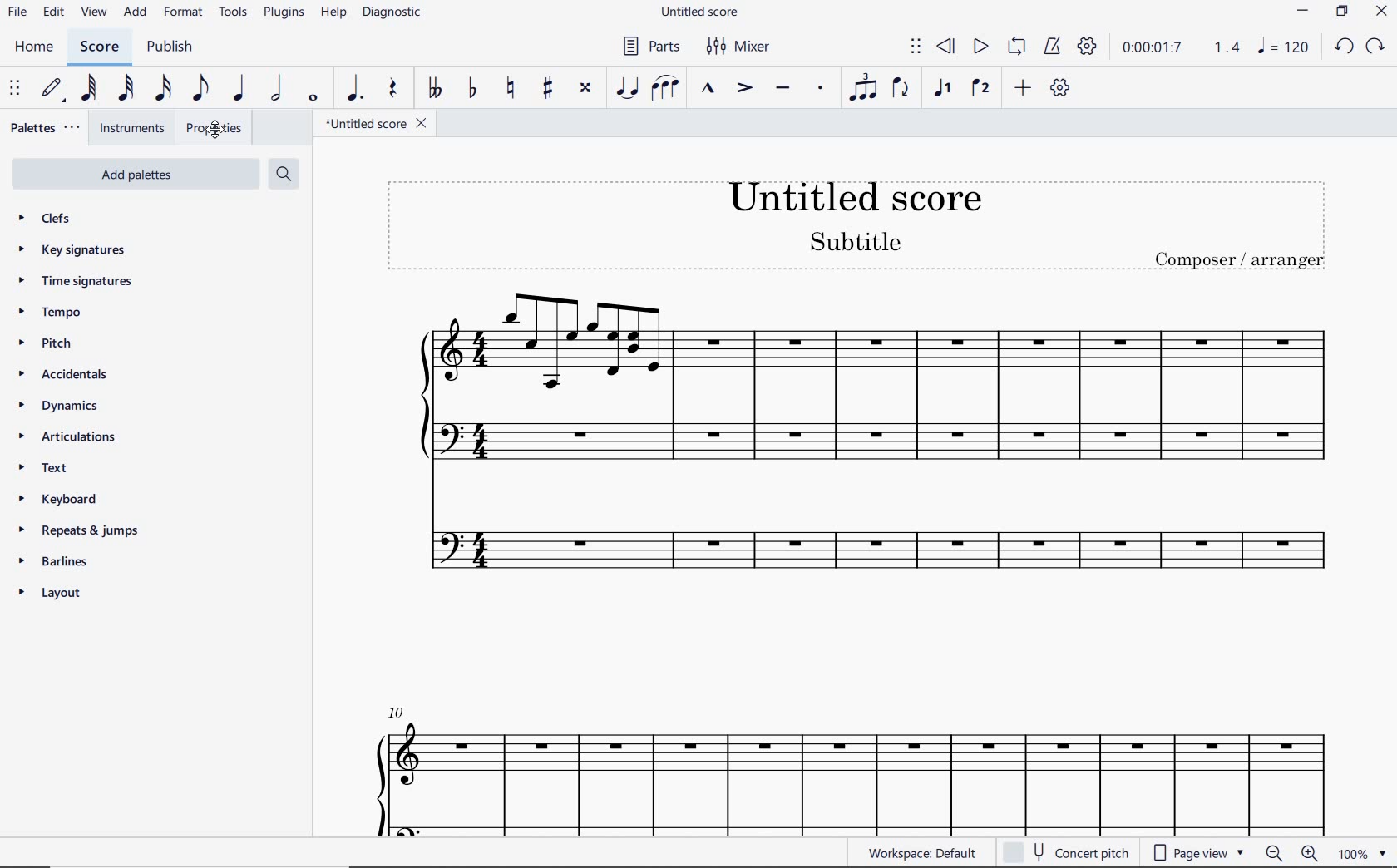 The image size is (1397, 868). What do you see at coordinates (185, 13) in the screenshot?
I see `FORMAT` at bounding box center [185, 13].